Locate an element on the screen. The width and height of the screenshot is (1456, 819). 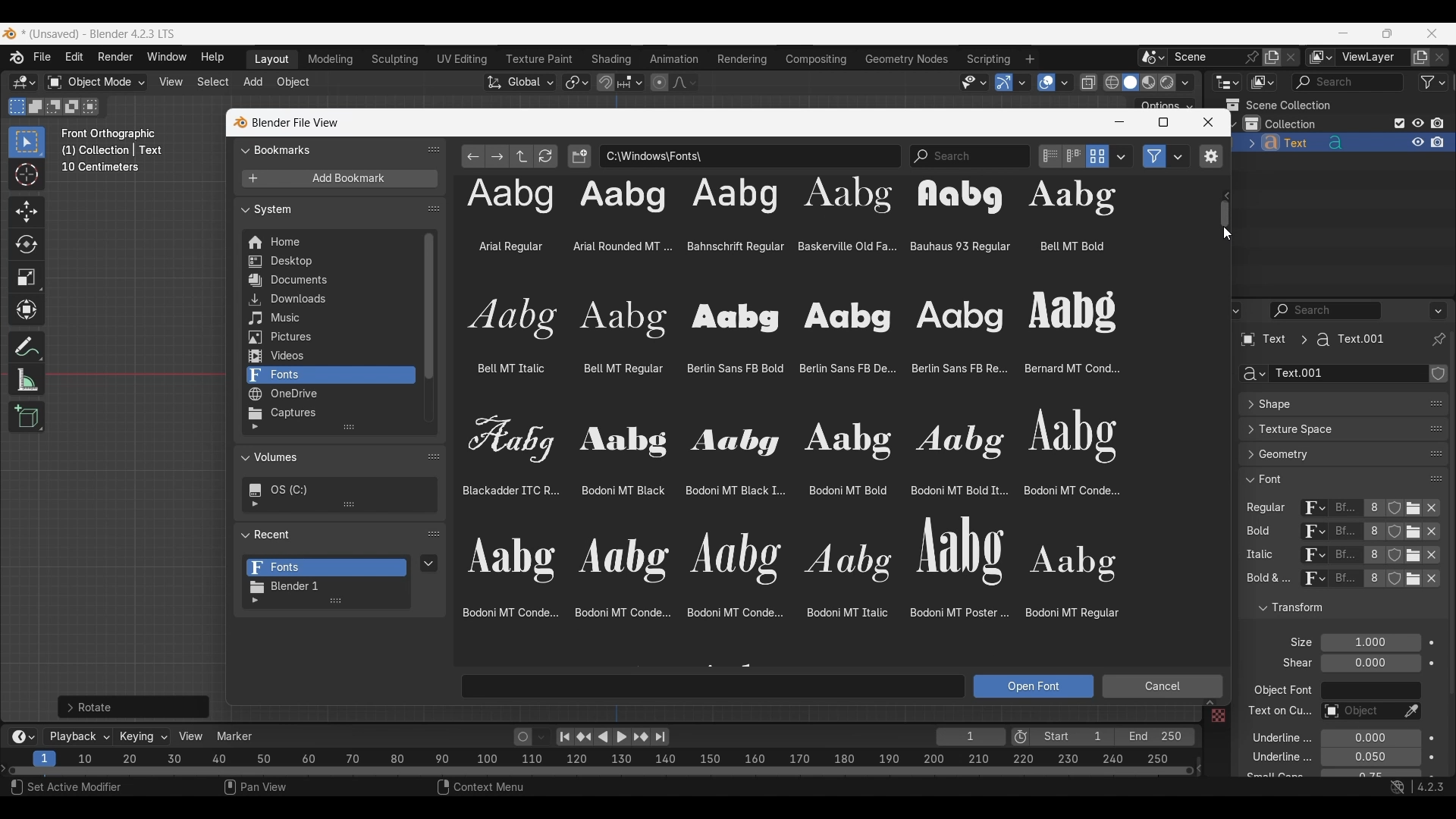
Measure is located at coordinates (27, 380).